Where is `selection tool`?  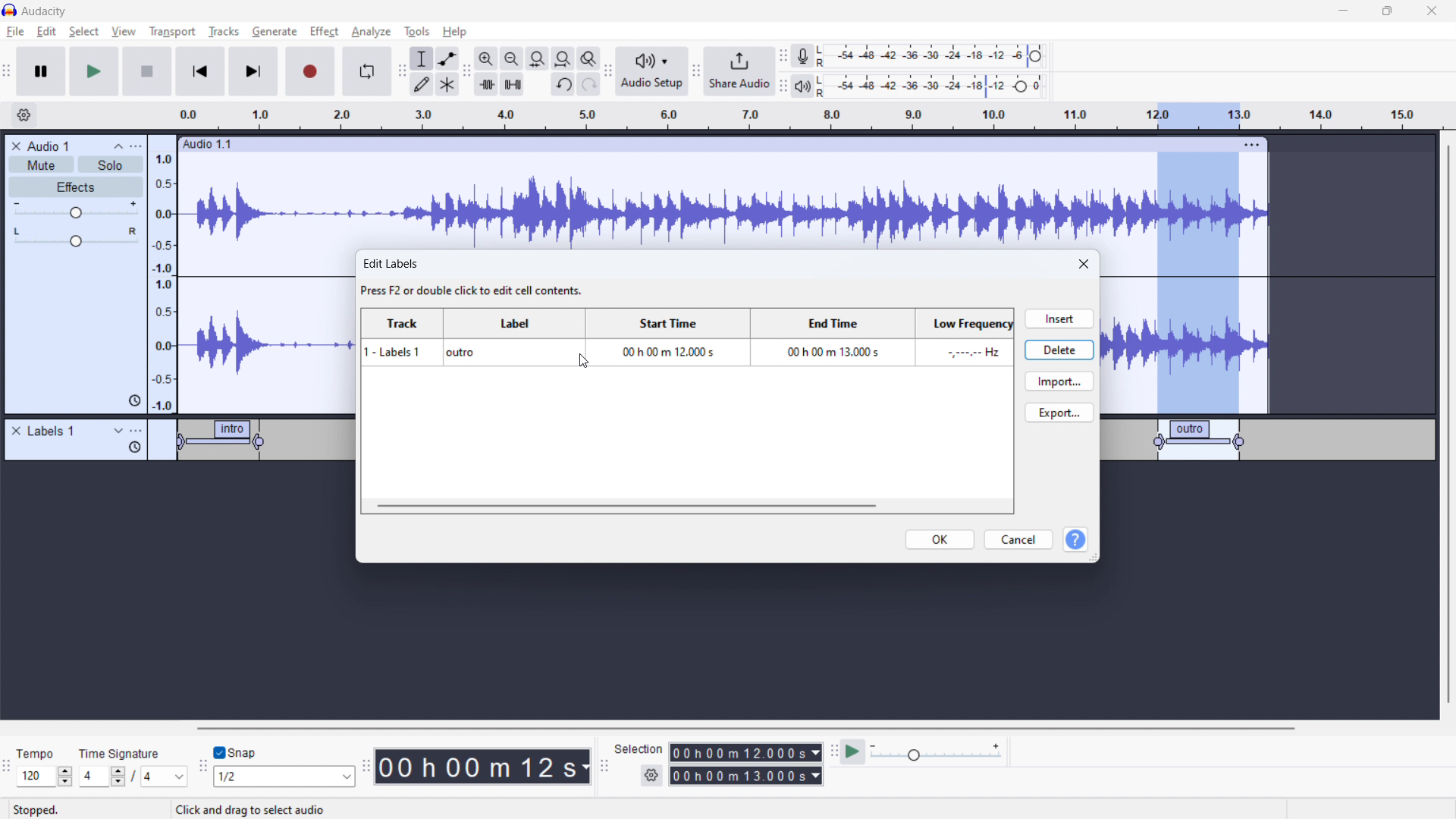
selection tool is located at coordinates (422, 58).